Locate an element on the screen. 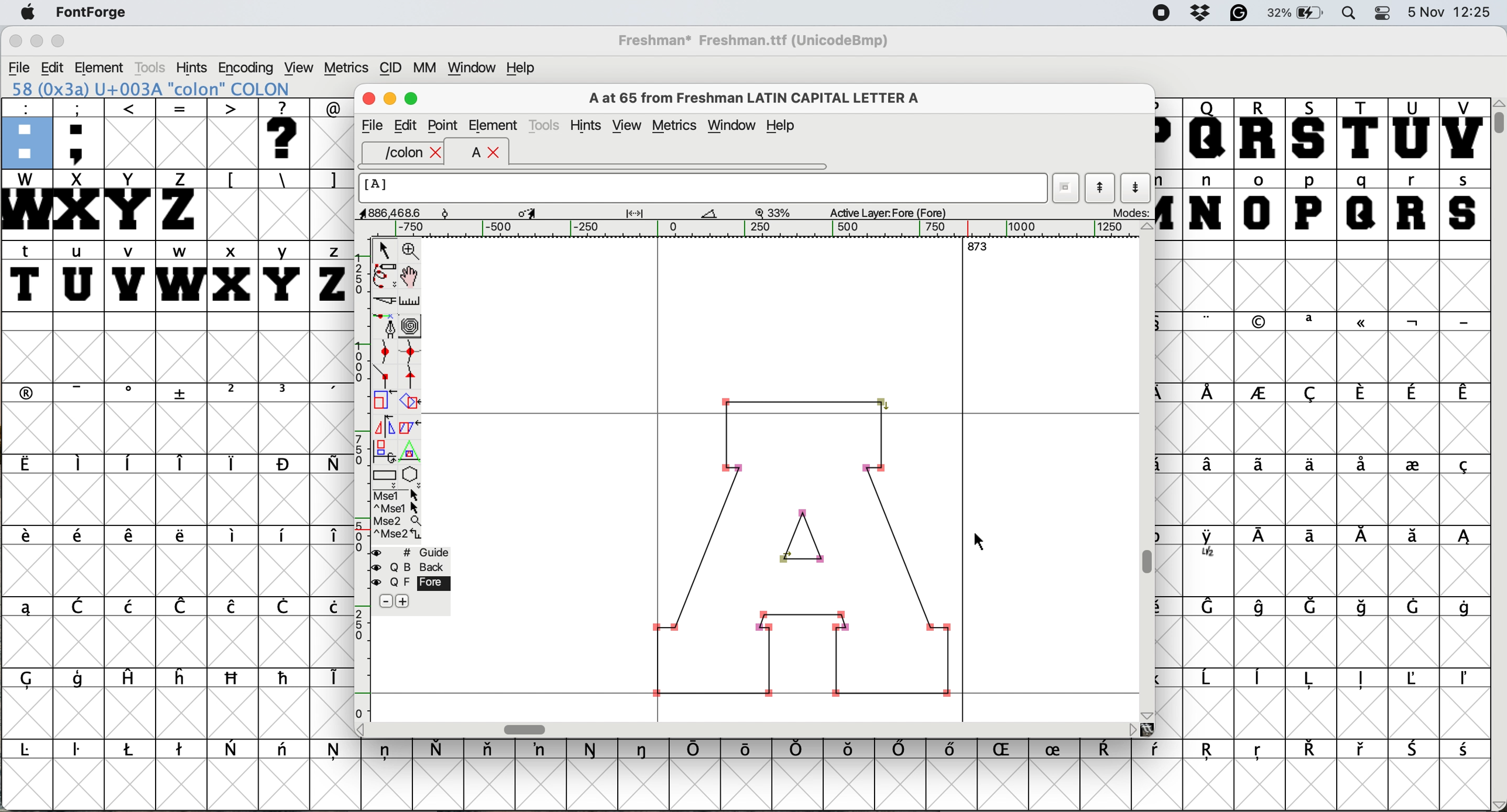 Image resolution: width=1507 pixels, height=812 pixels. current word list is located at coordinates (1066, 184).